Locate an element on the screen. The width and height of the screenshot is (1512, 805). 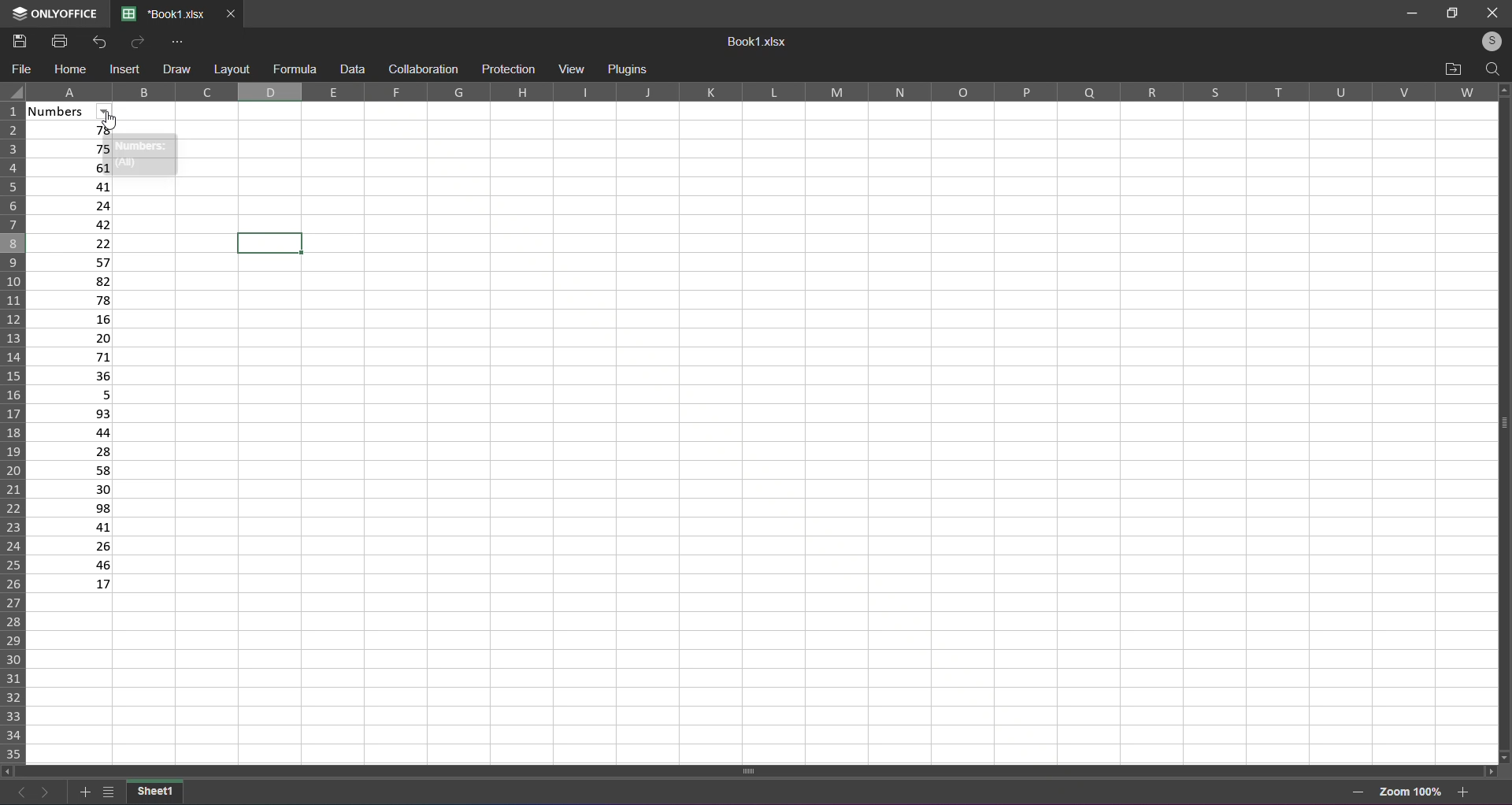
30 is located at coordinates (69, 489).